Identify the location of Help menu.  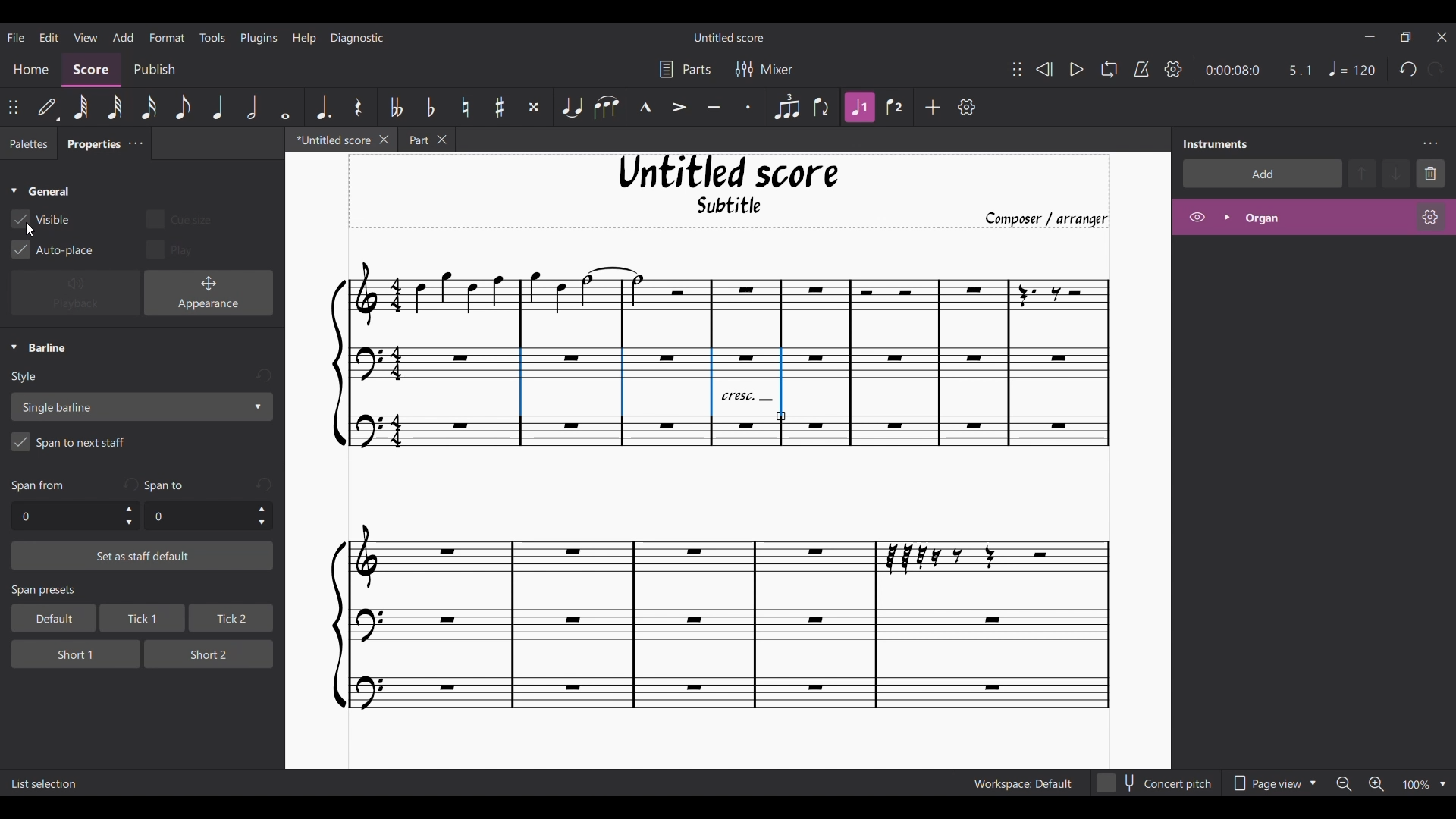
(304, 37).